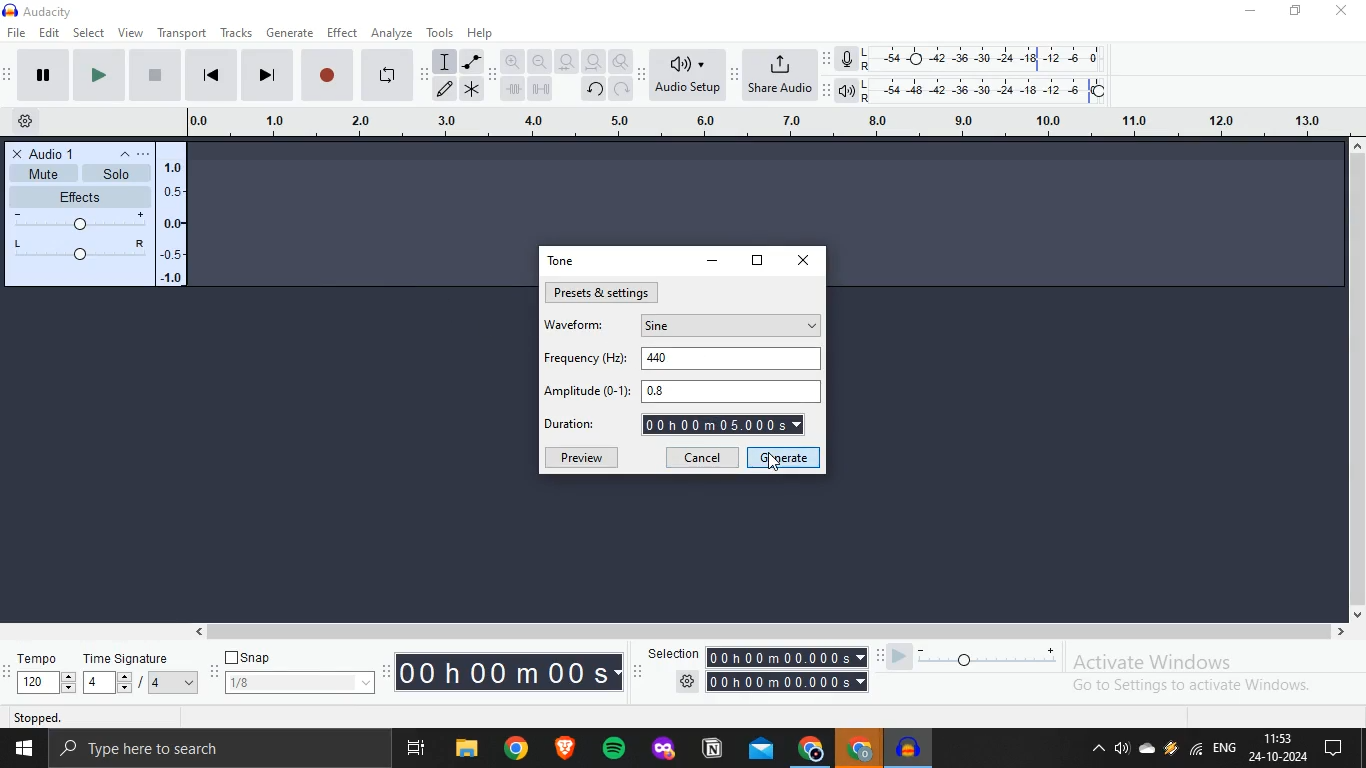 The height and width of the screenshot is (768, 1366). Describe the element at coordinates (445, 62) in the screenshot. I see `Typing` at that location.